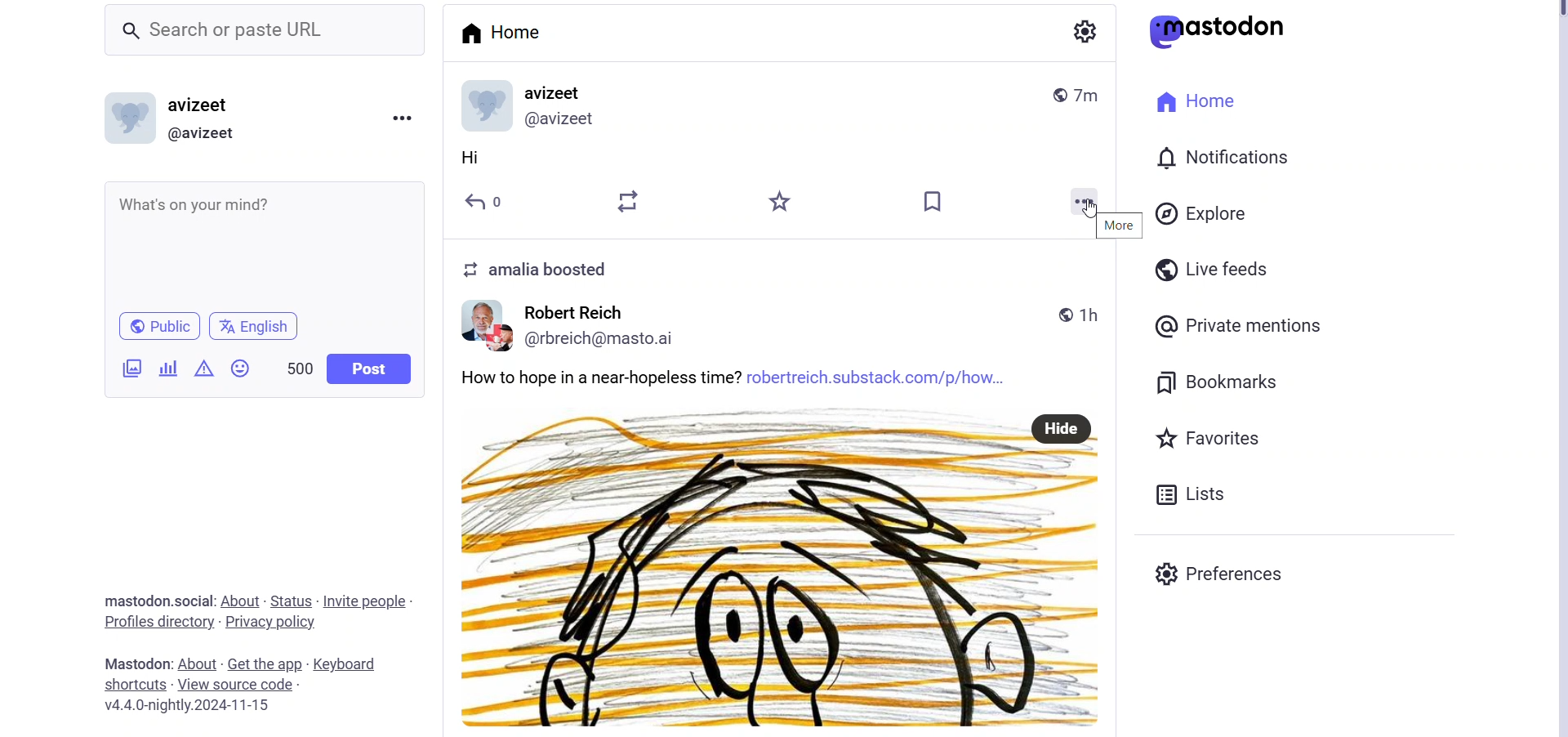 This screenshot has height=737, width=1568. I want to click on My Post, so click(783, 159).